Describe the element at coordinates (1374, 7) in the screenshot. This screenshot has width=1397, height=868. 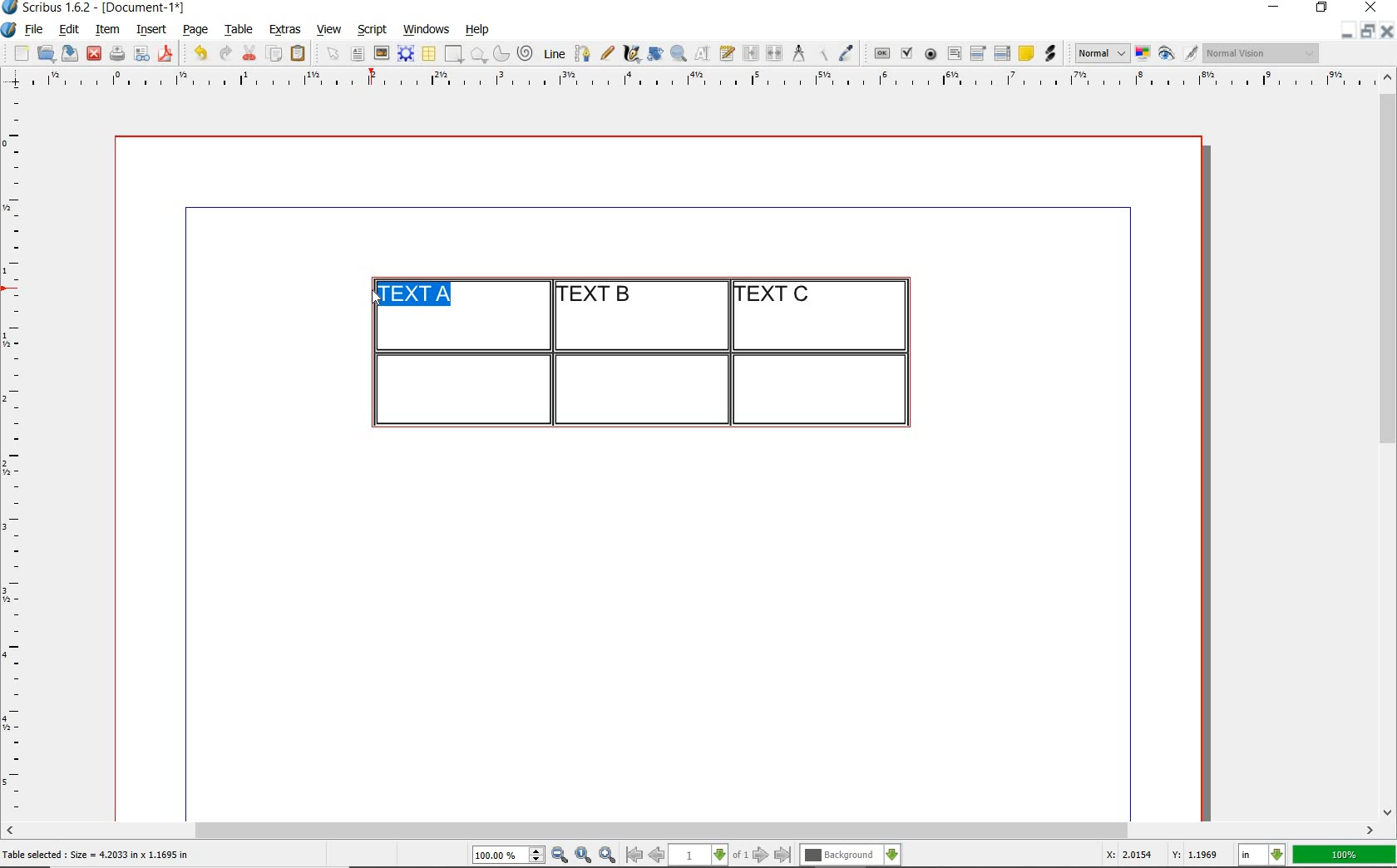
I see `close` at that location.